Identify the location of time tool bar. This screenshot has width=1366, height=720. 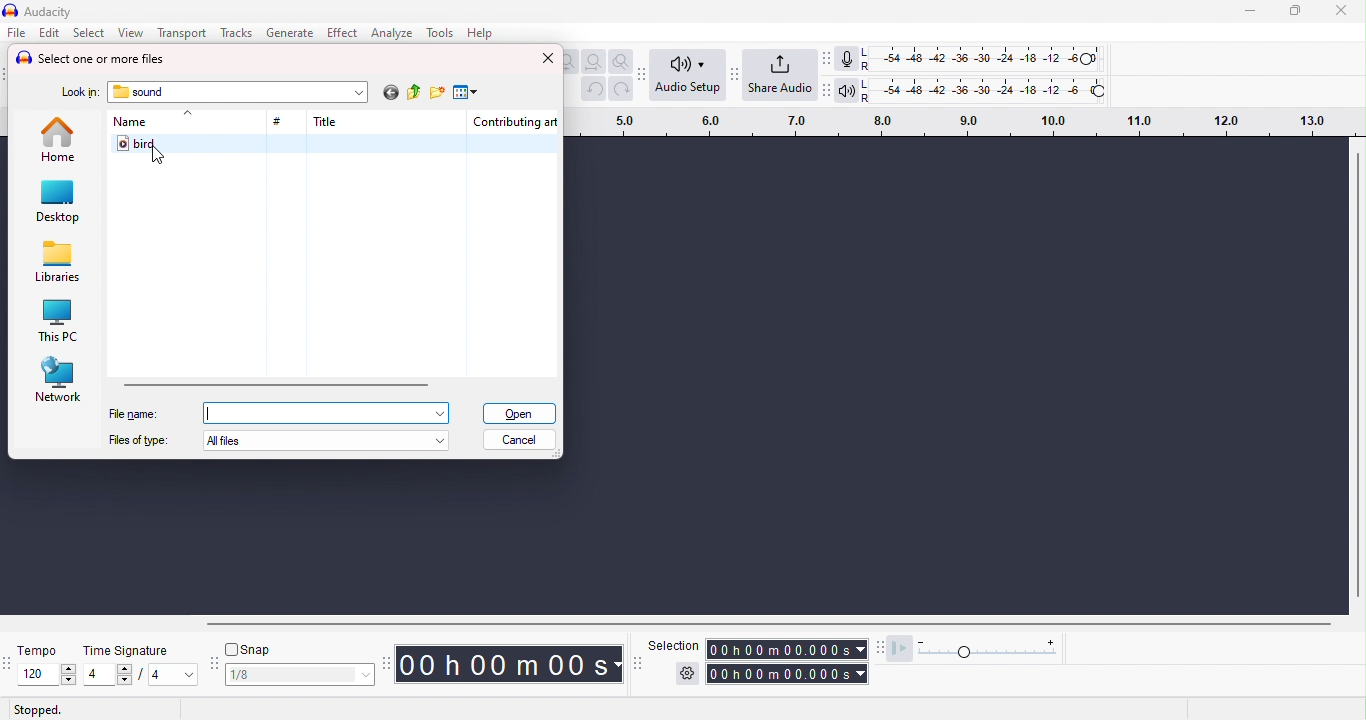
(388, 662).